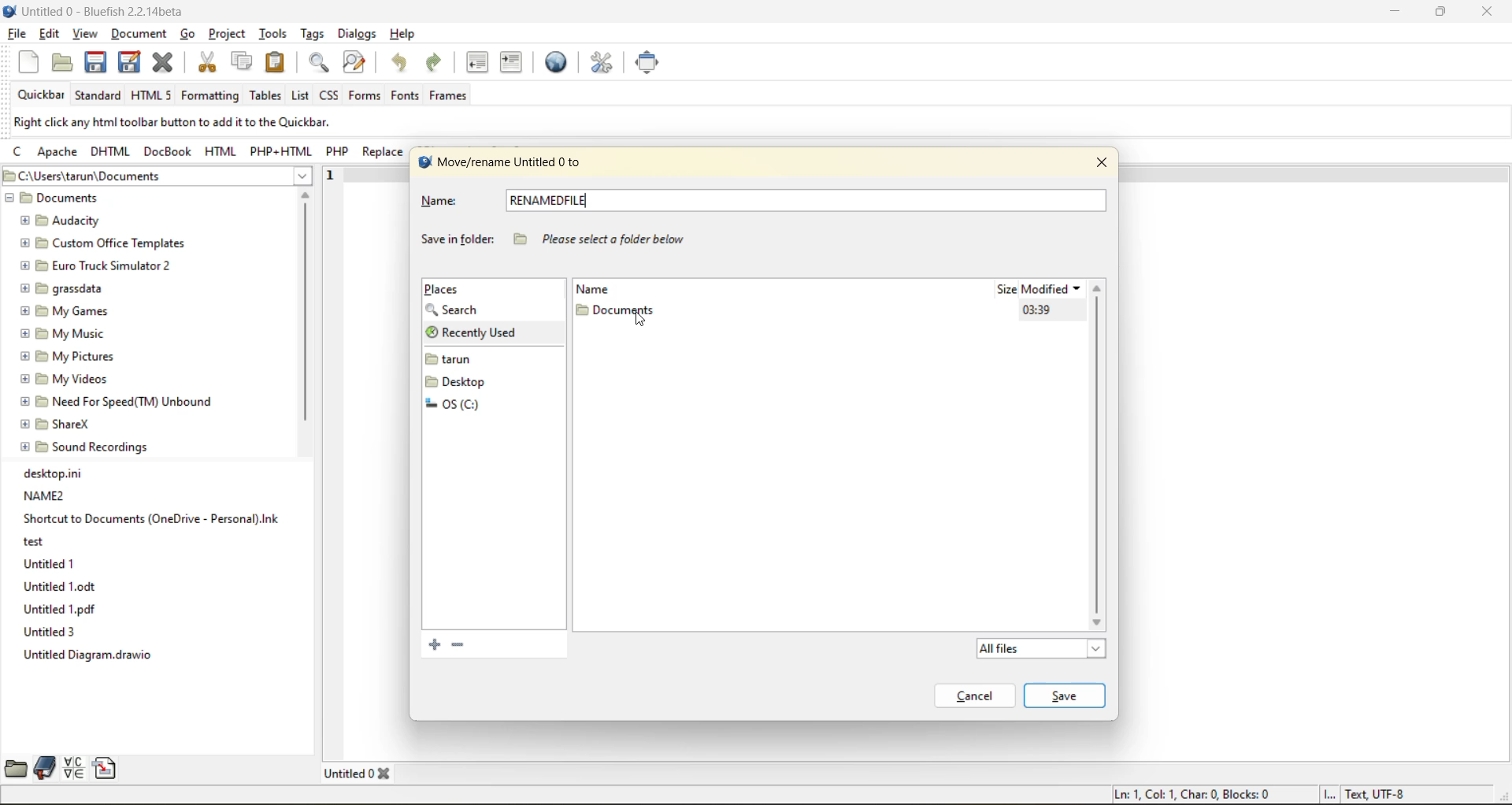 The height and width of the screenshot is (805, 1512). I want to click on name, so click(454, 202).